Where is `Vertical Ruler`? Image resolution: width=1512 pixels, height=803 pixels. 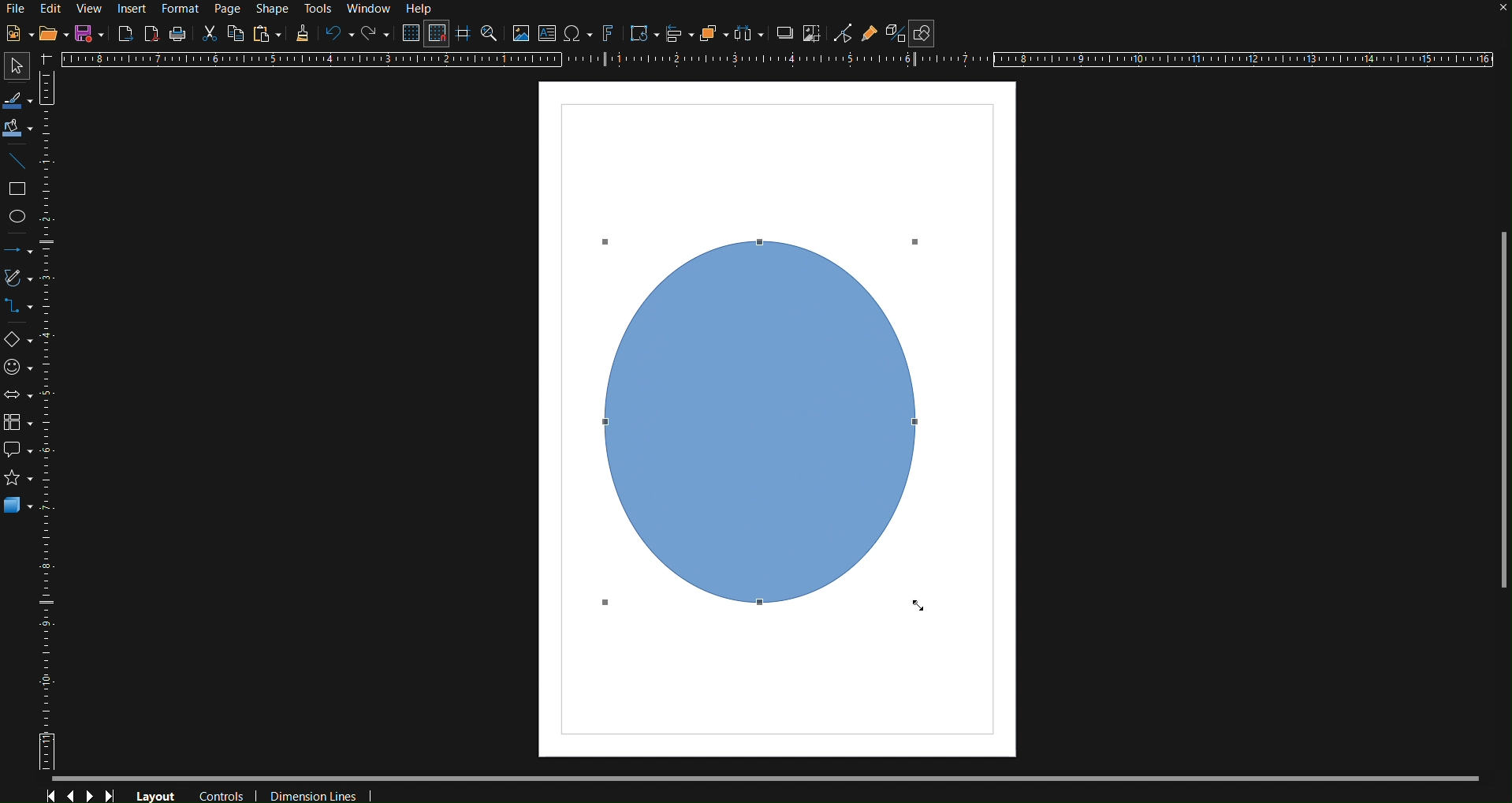 Vertical Ruler is located at coordinates (56, 429).